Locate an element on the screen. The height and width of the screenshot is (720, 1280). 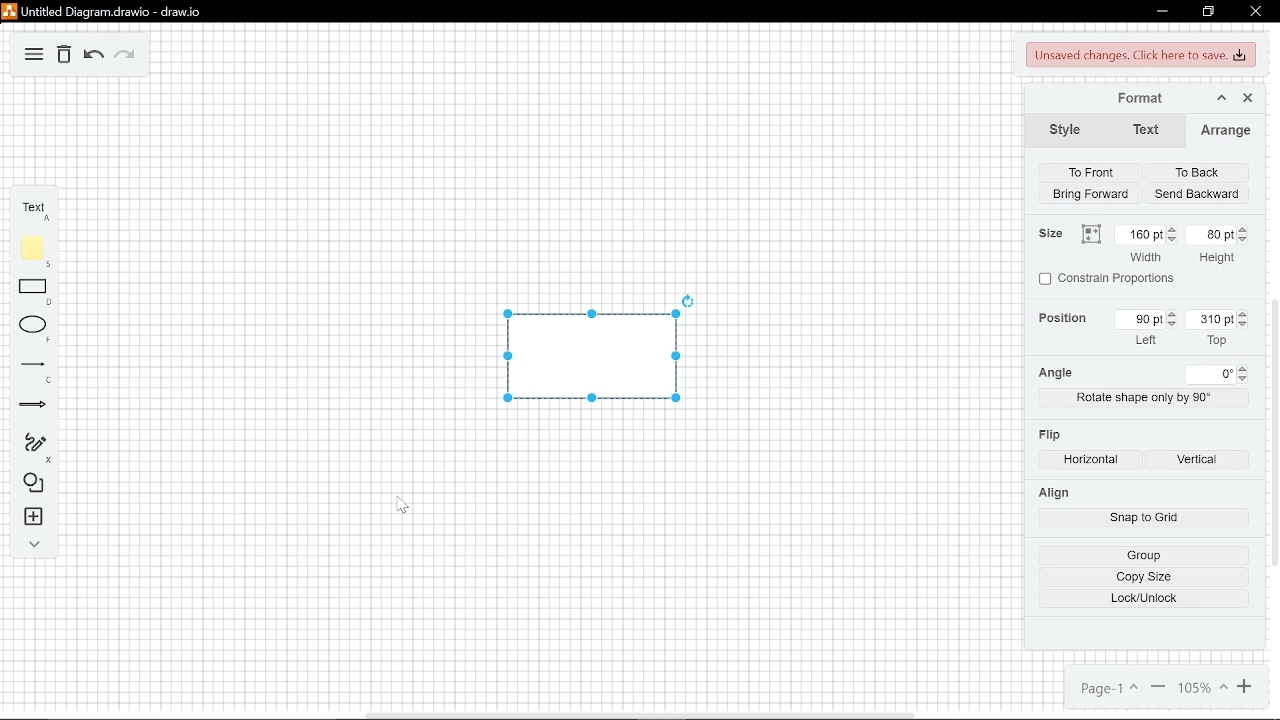
position is located at coordinates (1060, 320).